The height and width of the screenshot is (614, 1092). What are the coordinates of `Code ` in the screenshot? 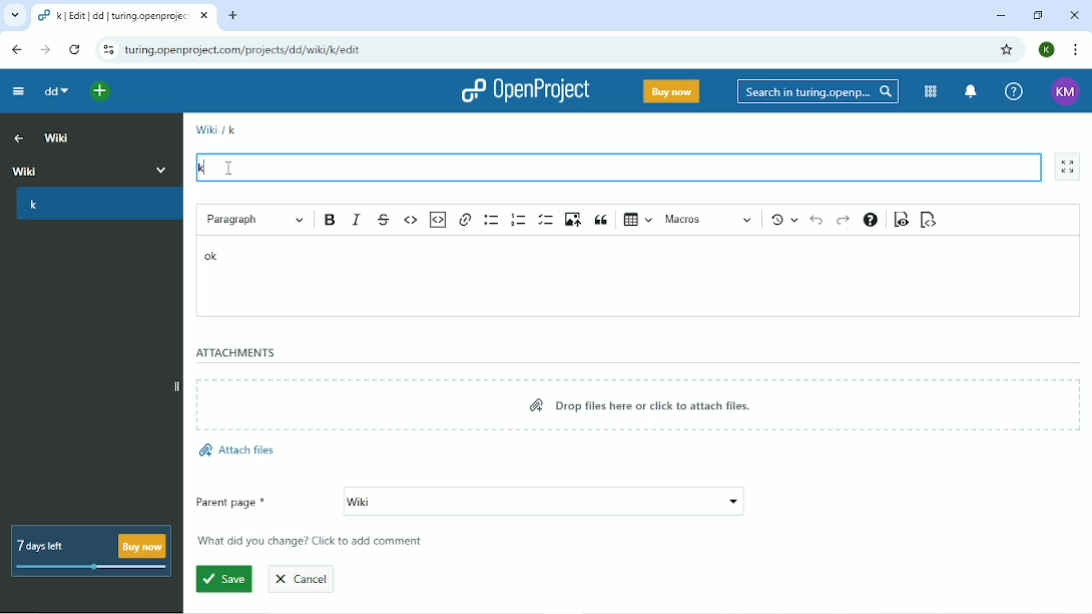 It's located at (411, 218).